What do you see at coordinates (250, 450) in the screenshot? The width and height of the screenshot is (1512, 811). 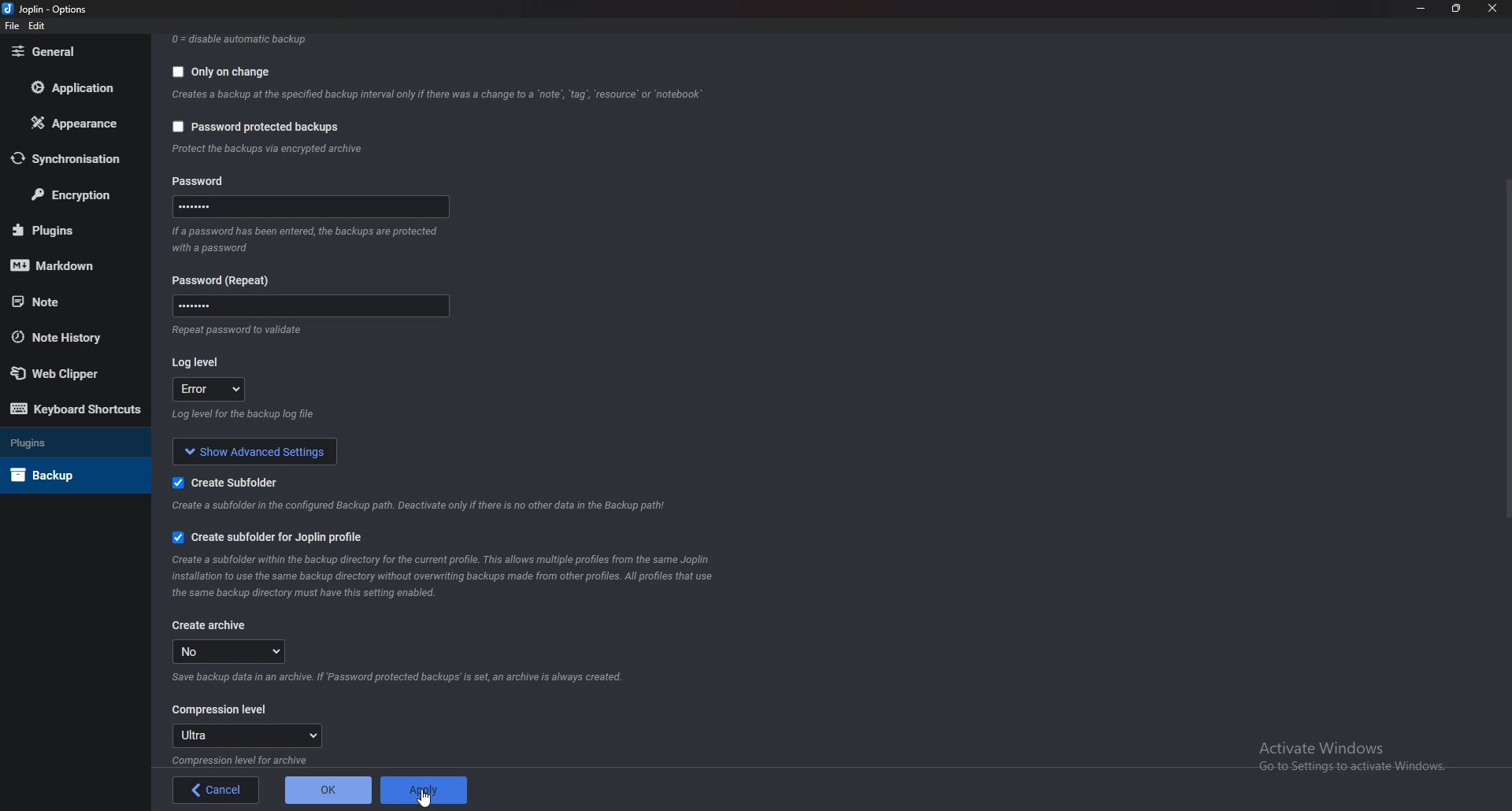 I see `show advanced settings` at bounding box center [250, 450].